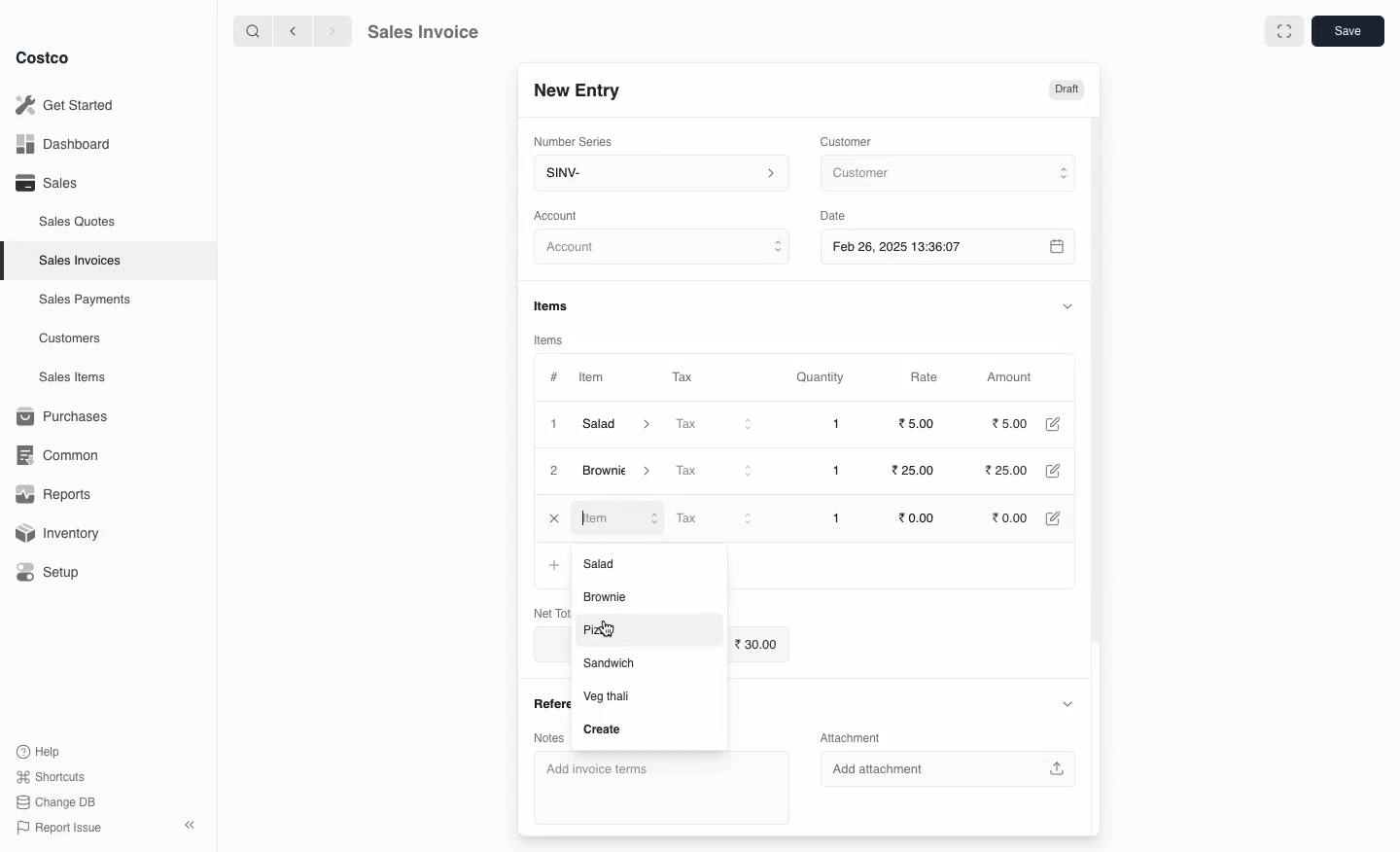 Image resolution: width=1400 pixels, height=852 pixels. What do you see at coordinates (849, 140) in the screenshot?
I see `Customer` at bounding box center [849, 140].